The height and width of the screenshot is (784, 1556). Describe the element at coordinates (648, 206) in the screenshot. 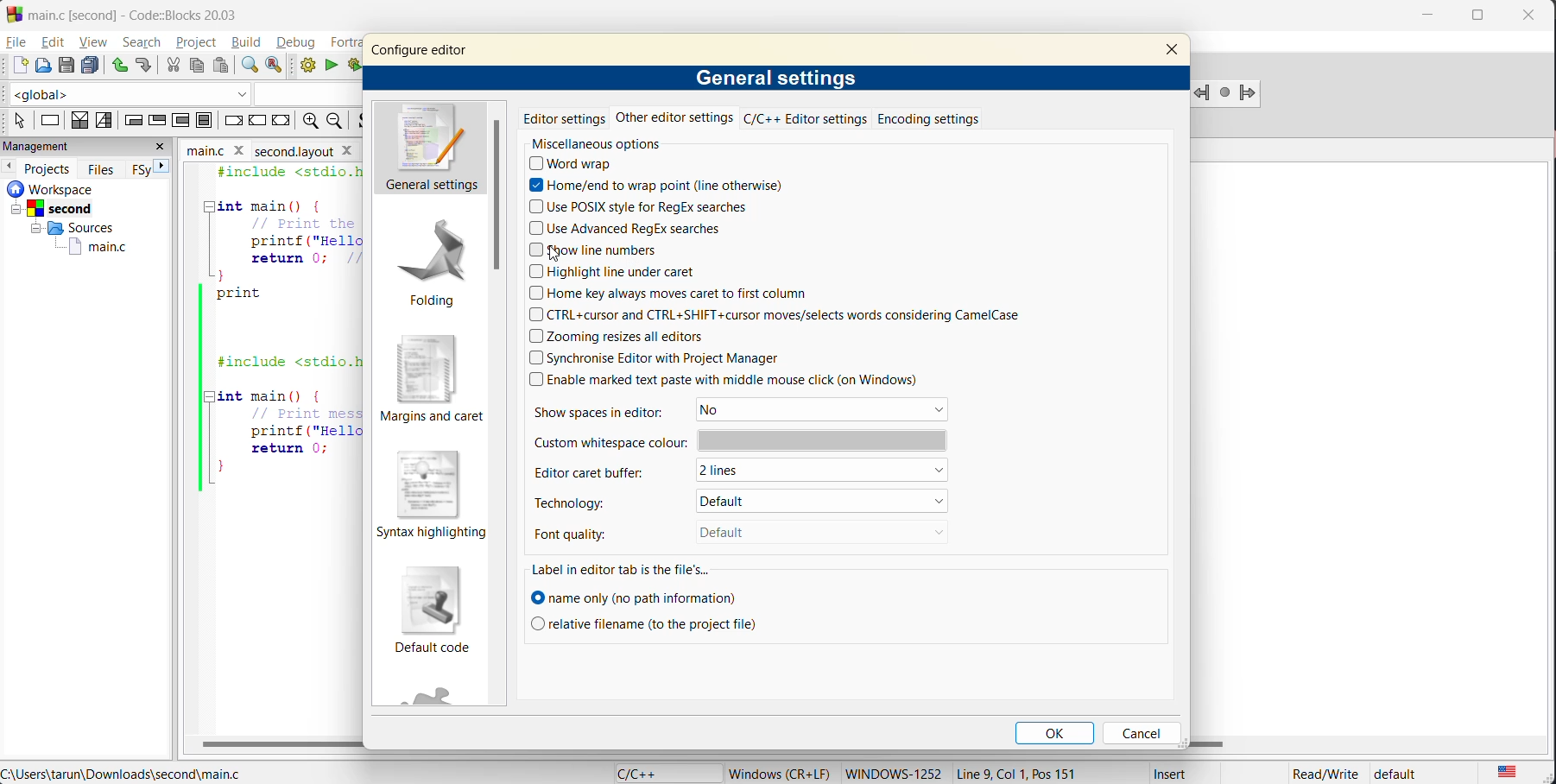

I see `use POSIX style for regex searches` at that location.